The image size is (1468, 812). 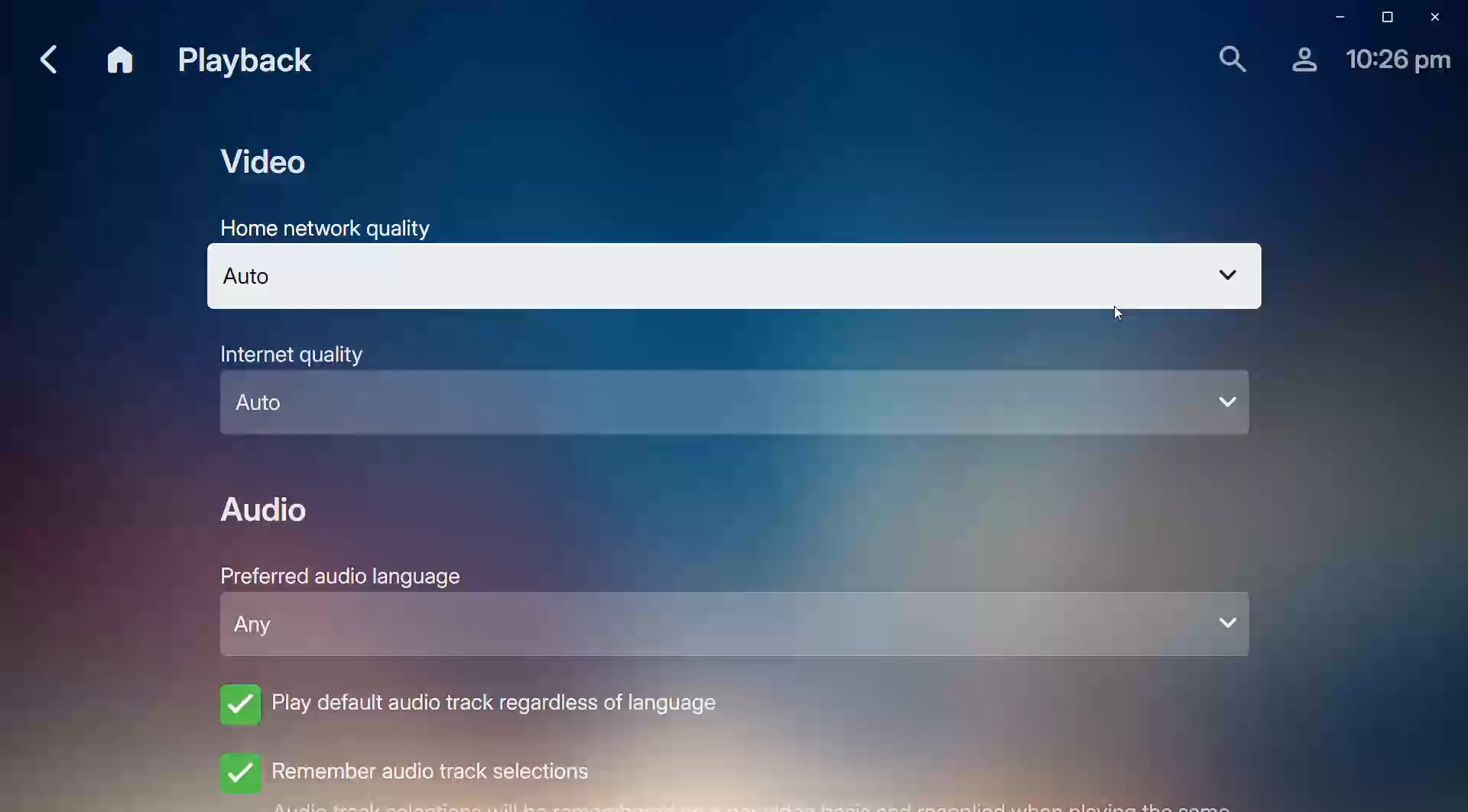 What do you see at coordinates (269, 161) in the screenshot?
I see `Video` at bounding box center [269, 161].